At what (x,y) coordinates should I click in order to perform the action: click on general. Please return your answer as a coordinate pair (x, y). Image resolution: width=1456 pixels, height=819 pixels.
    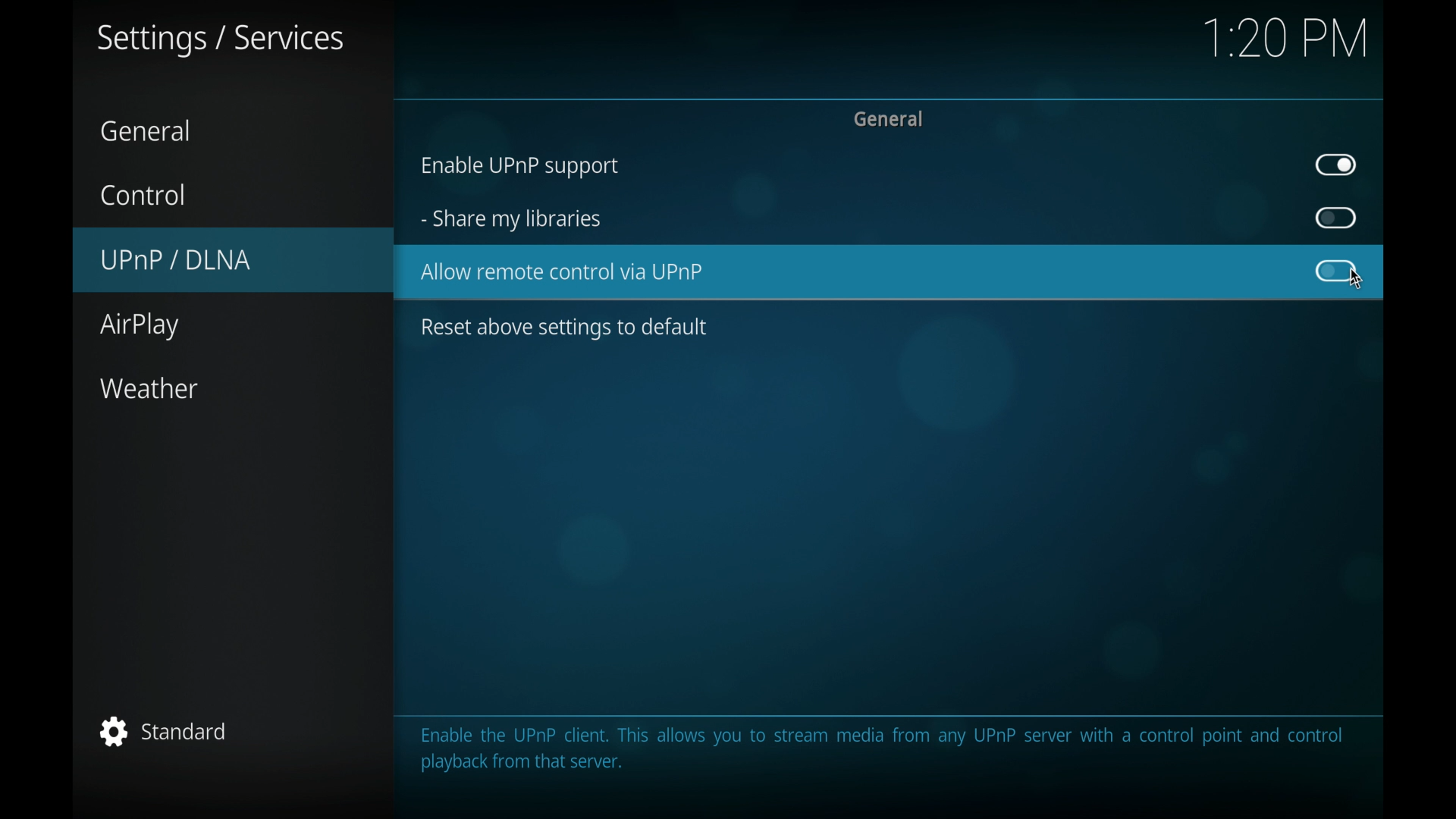
    Looking at the image, I should click on (887, 118).